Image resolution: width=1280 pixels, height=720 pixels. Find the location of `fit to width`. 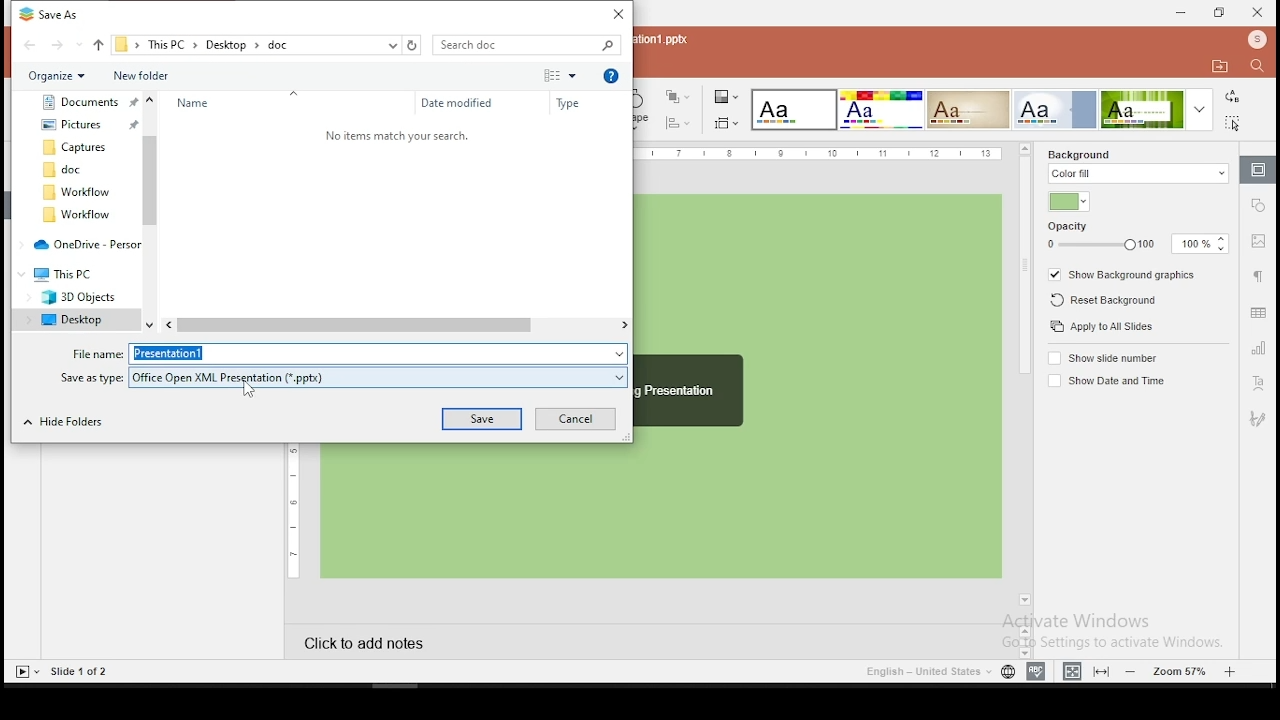

fit to width is located at coordinates (1102, 669).